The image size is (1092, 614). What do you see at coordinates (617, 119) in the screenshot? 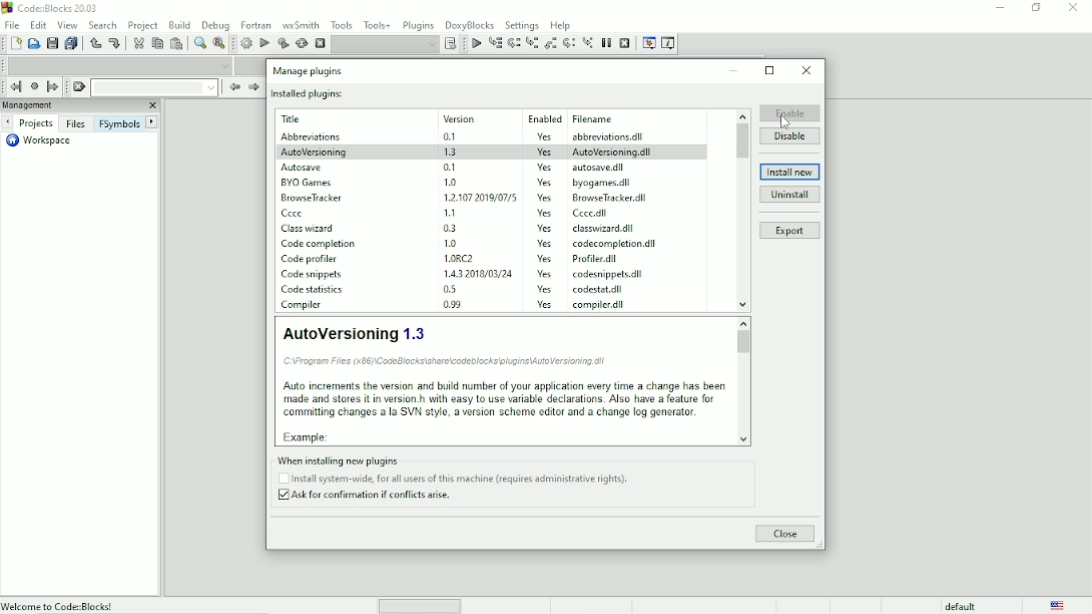
I see `File name` at bounding box center [617, 119].